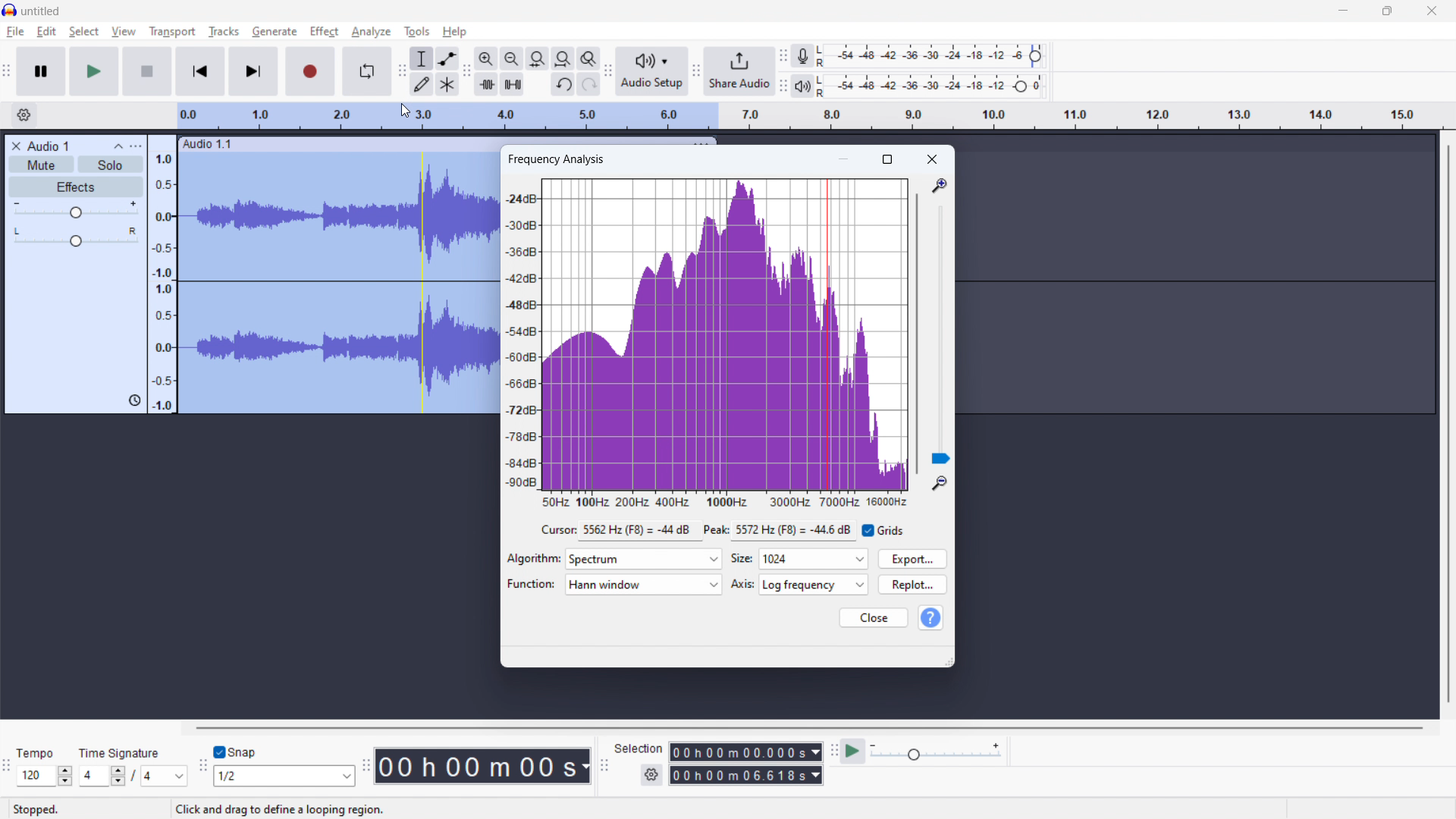  Describe the element at coordinates (422, 83) in the screenshot. I see `draw tool` at that location.